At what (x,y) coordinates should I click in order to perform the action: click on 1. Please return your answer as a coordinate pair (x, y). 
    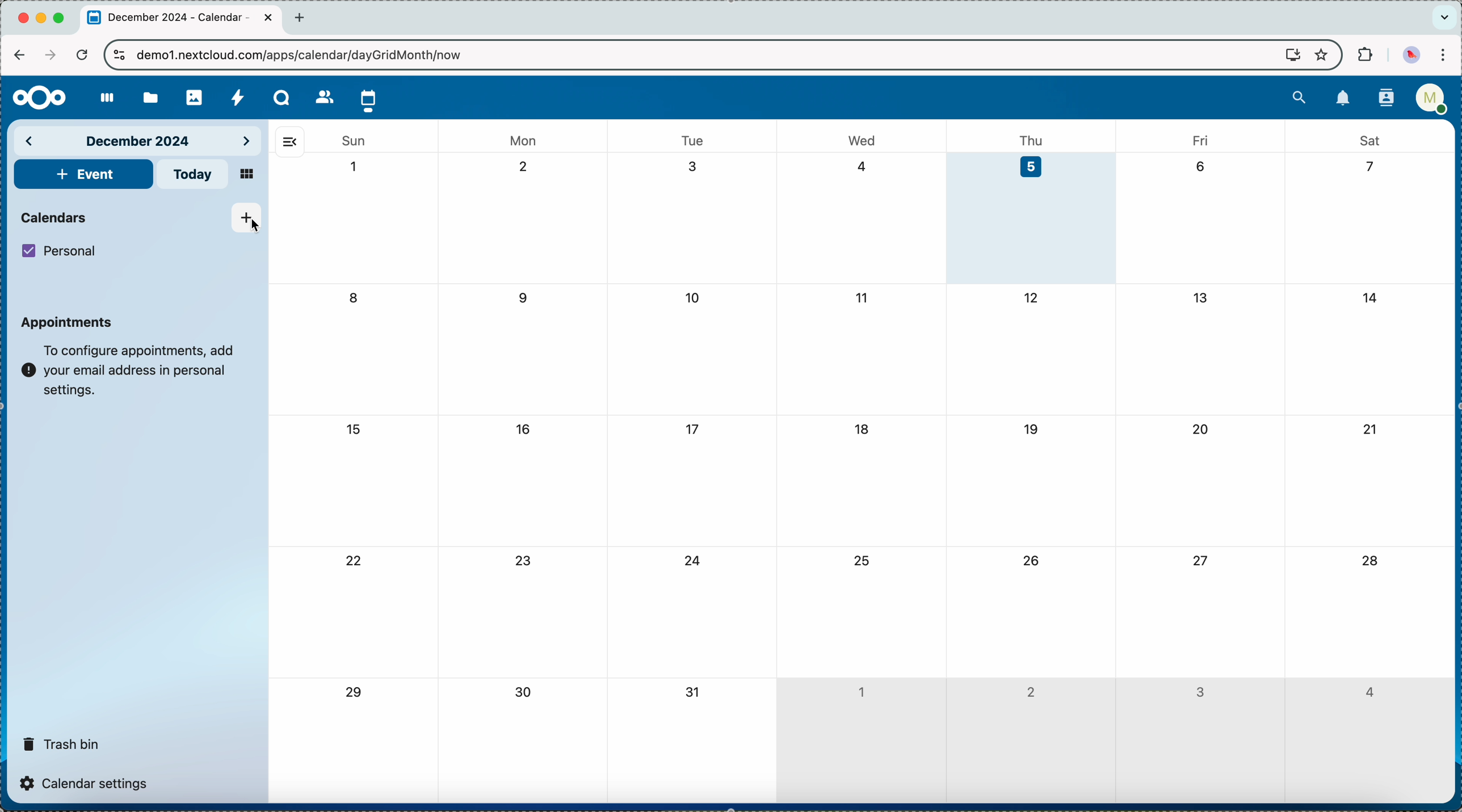
    Looking at the image, I should click on (860, 689).